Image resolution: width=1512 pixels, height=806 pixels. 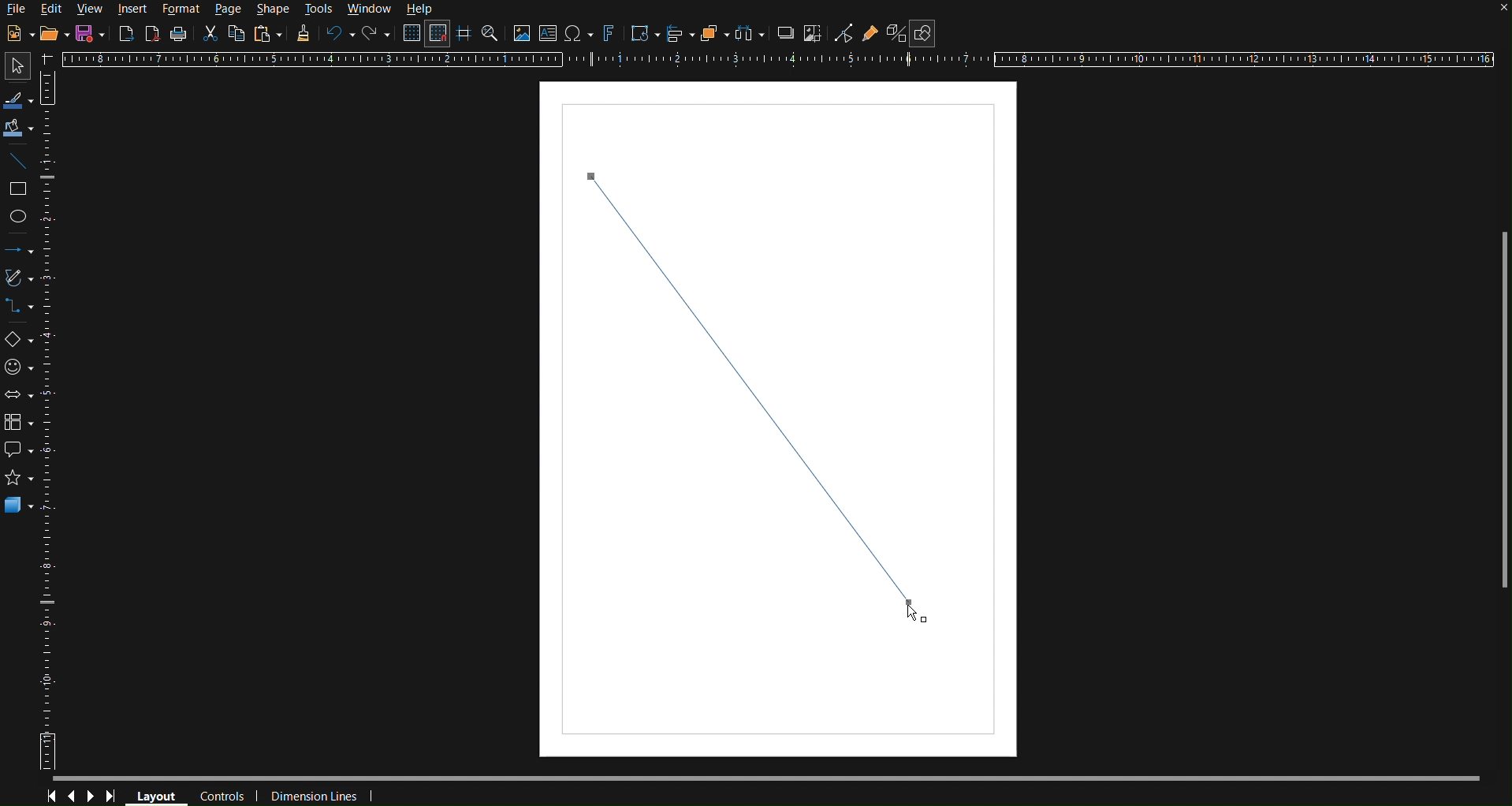 What do you see at coordinates (20, 306) in the screenshot?
I see `Connections` at bounding box center [20, 306].